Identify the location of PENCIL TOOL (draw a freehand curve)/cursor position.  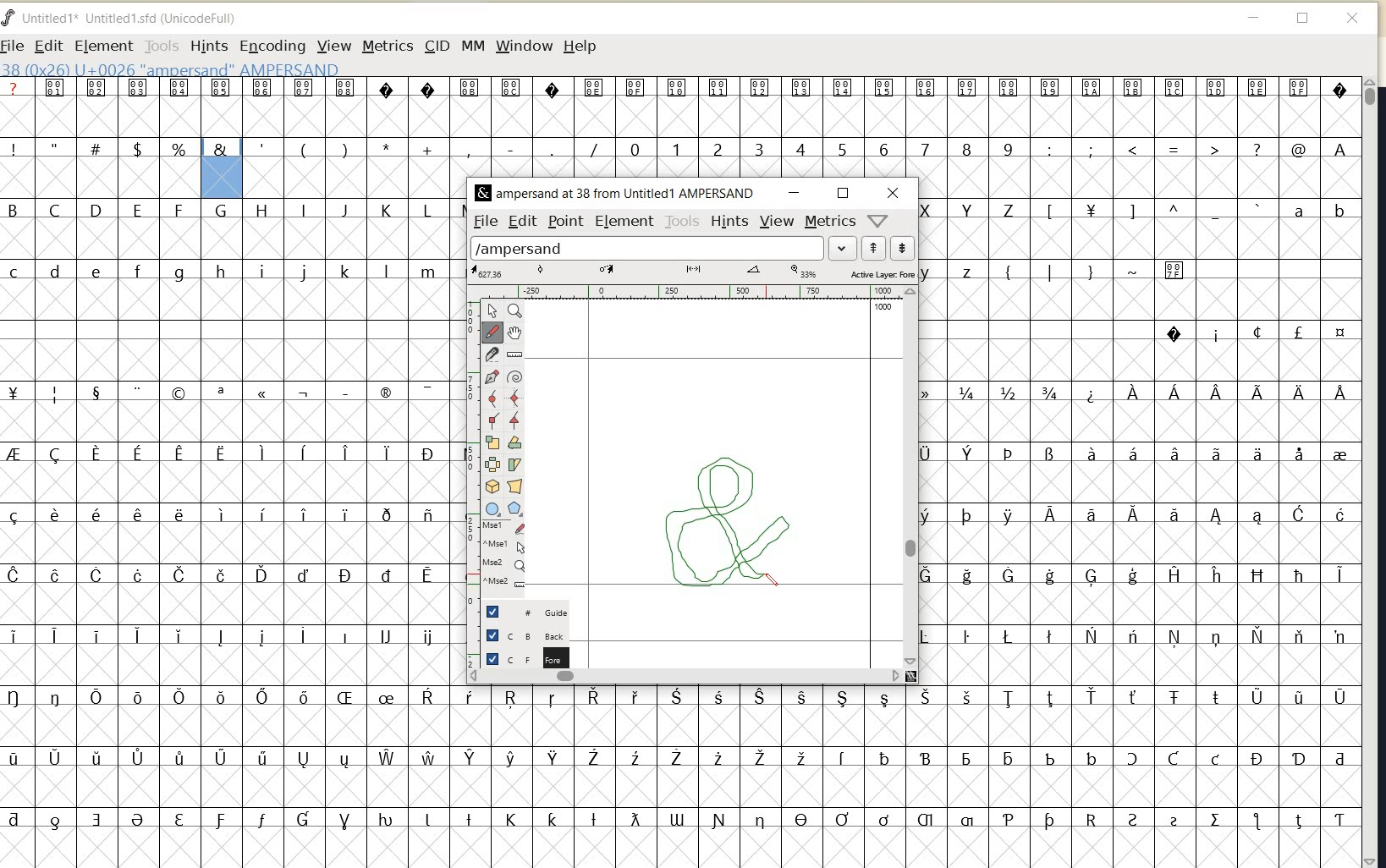
(773, 580).